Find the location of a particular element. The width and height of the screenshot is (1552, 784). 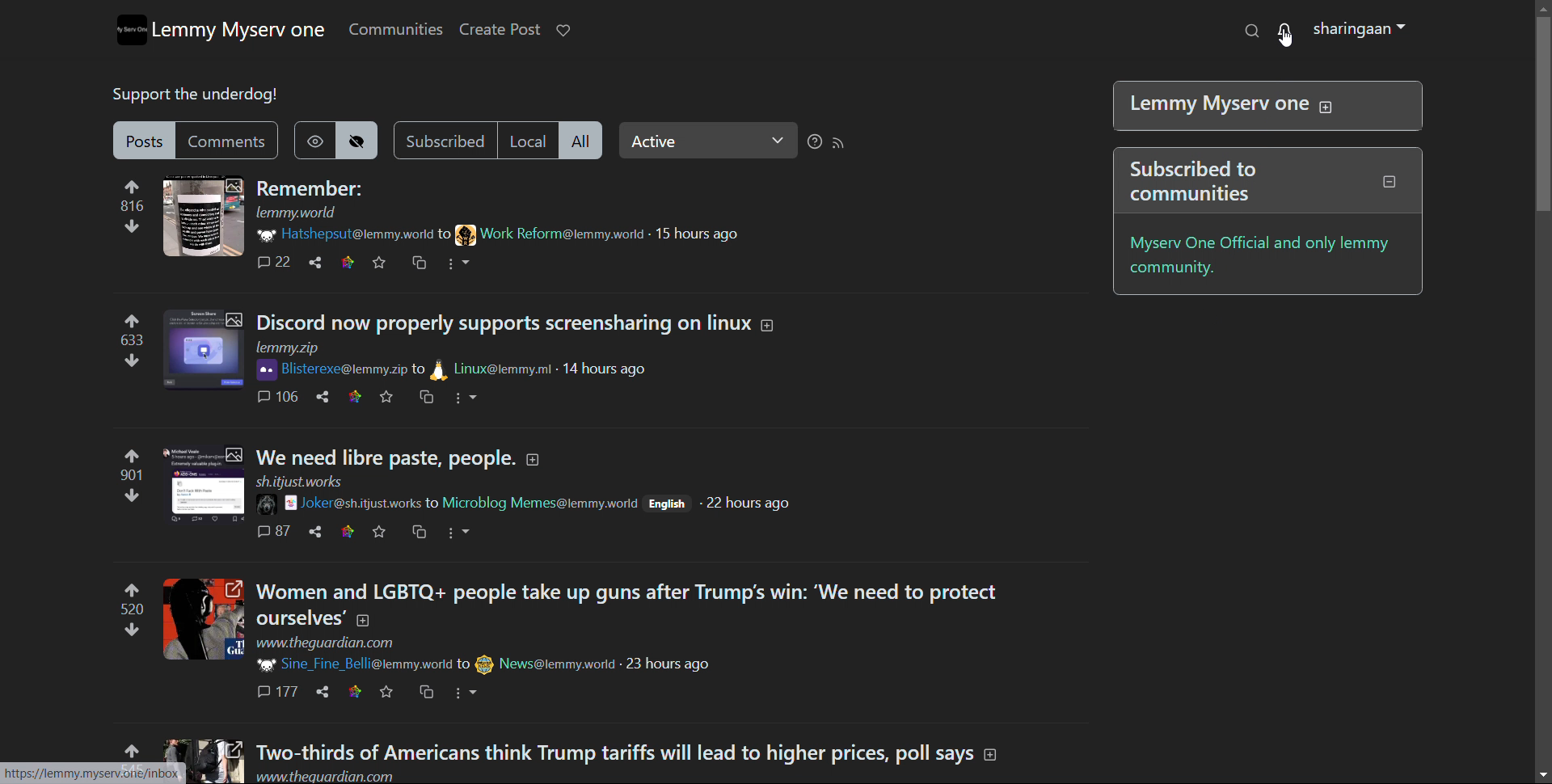

Support the underdog! is located at coordinates (196, 95).